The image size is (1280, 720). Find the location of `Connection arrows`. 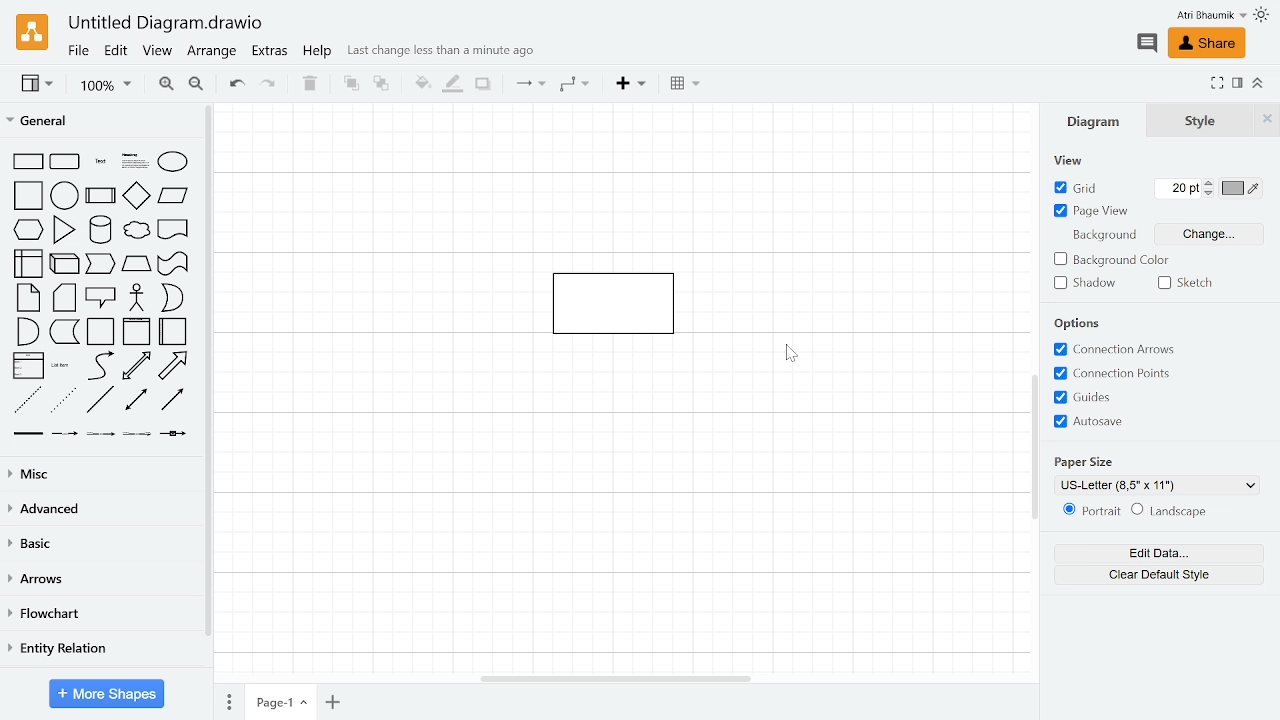

Connection arrows is located at coordinates (1122, 350).